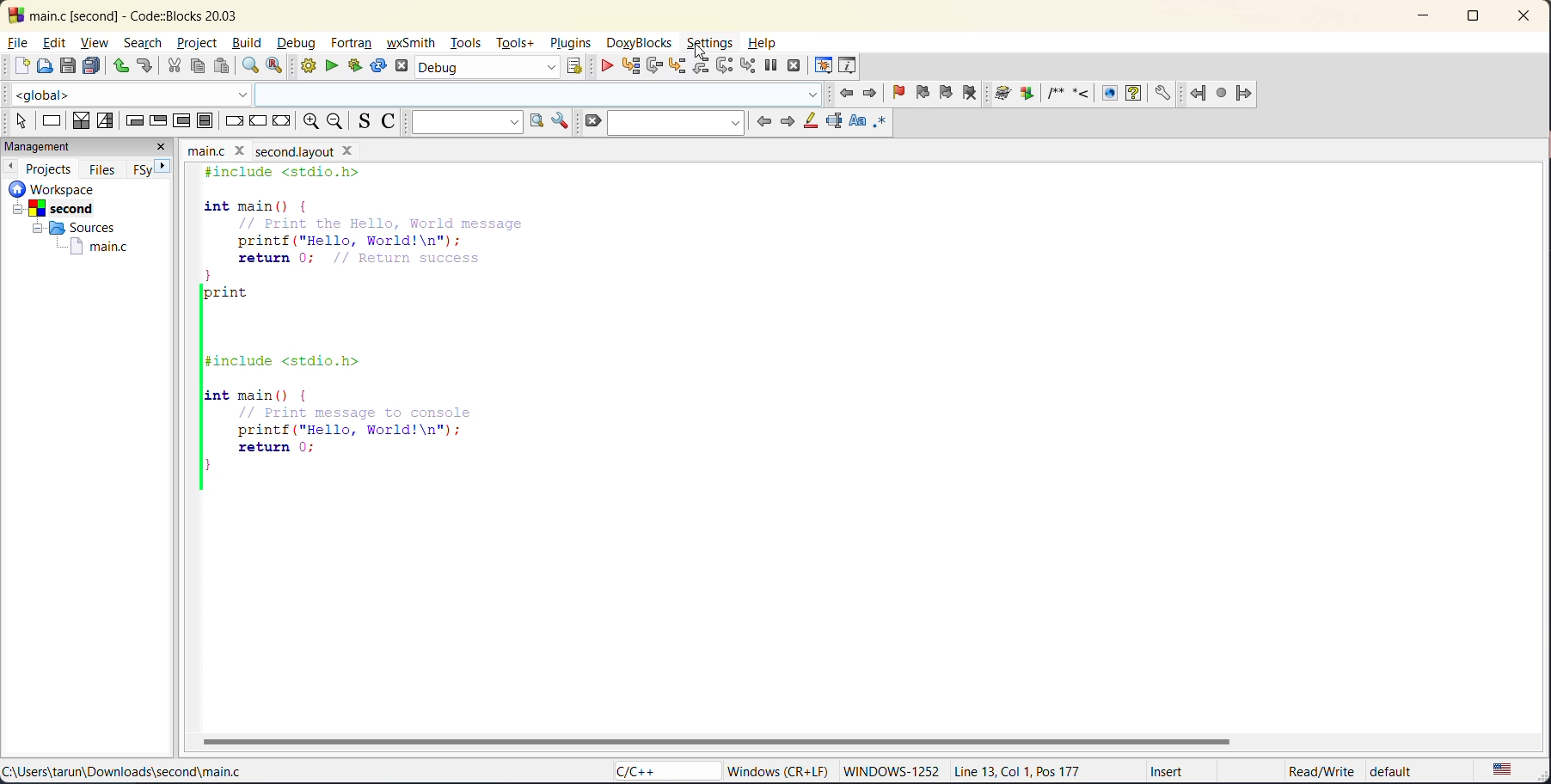  Describe the element at coordinates (653, 66) in the screenshot. I see `next line` at that location.